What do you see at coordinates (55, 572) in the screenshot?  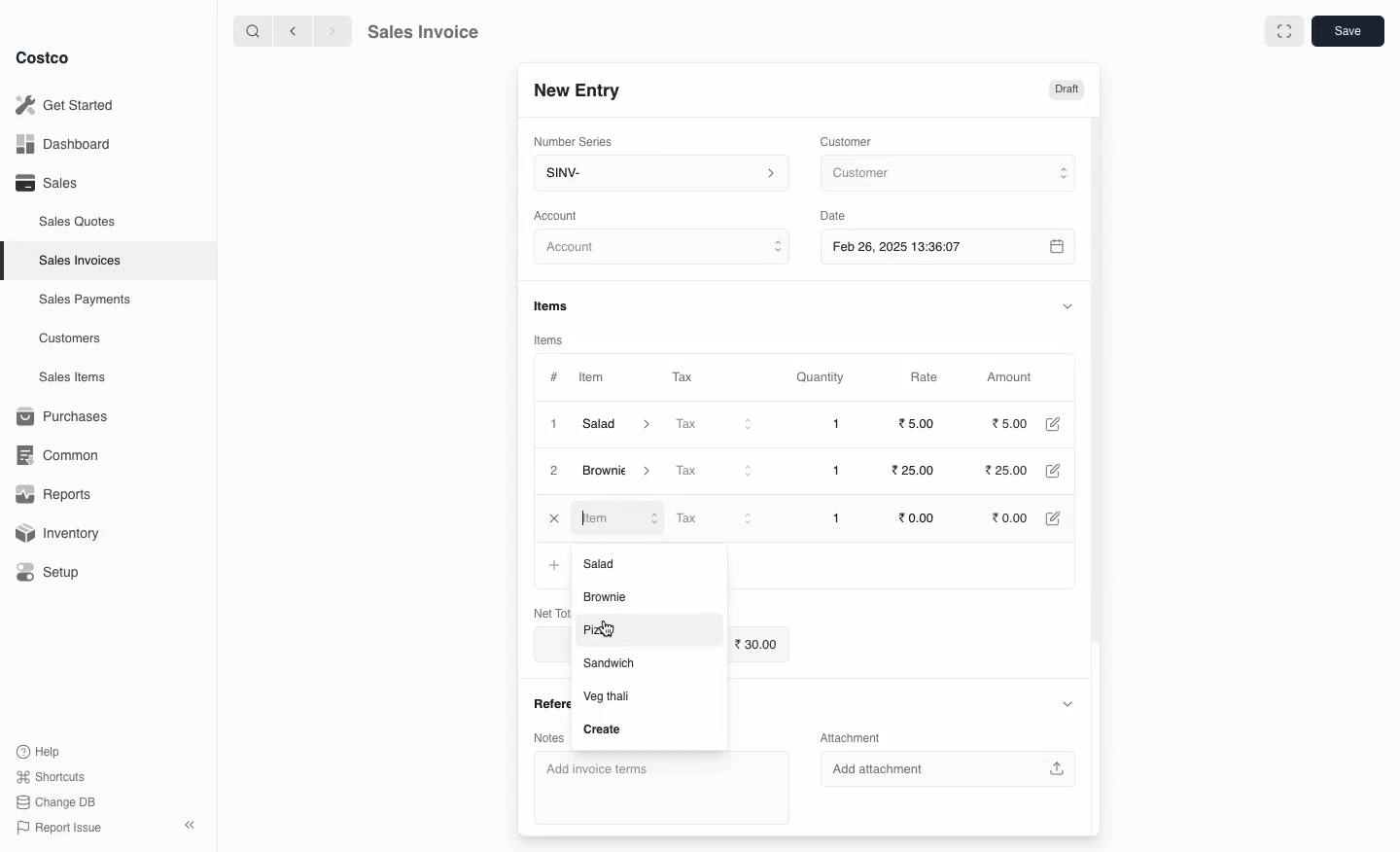 I see `Setup` at bounding box center [55, 572].